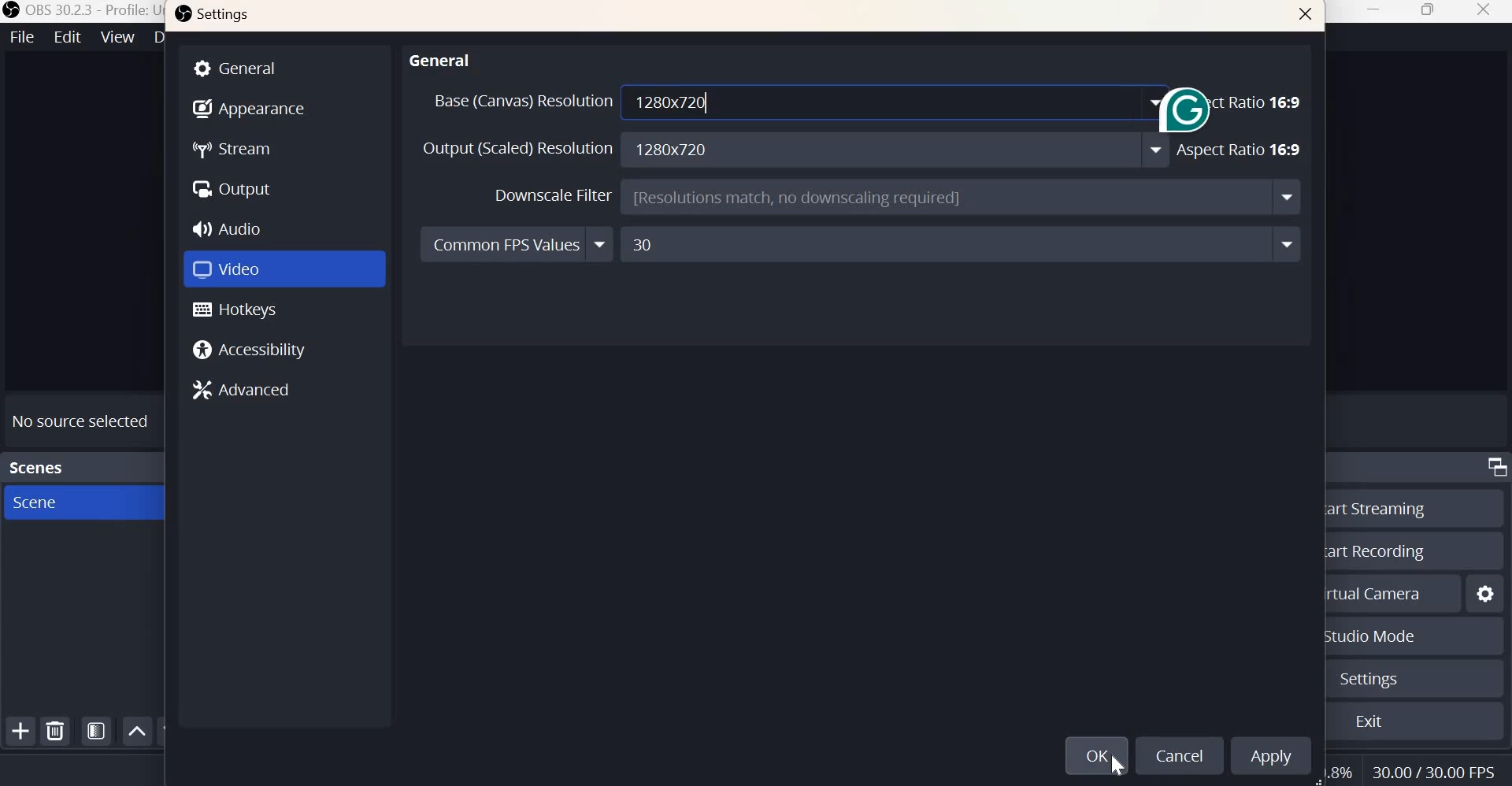  I want to click on Frame Rate (FPS), so click(1438, 769).